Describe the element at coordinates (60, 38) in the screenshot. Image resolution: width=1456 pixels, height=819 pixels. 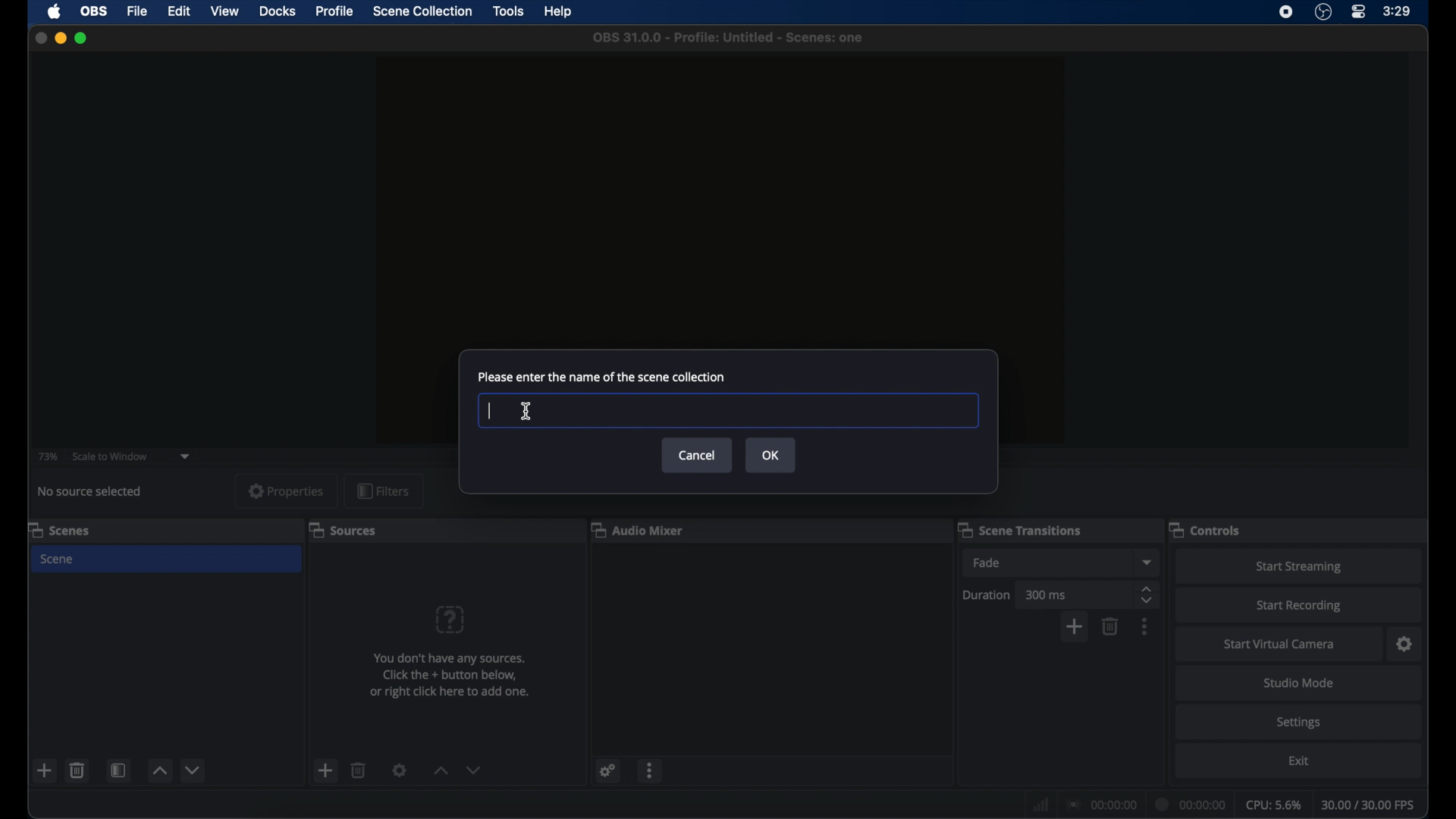
I see `minimize` at that location.